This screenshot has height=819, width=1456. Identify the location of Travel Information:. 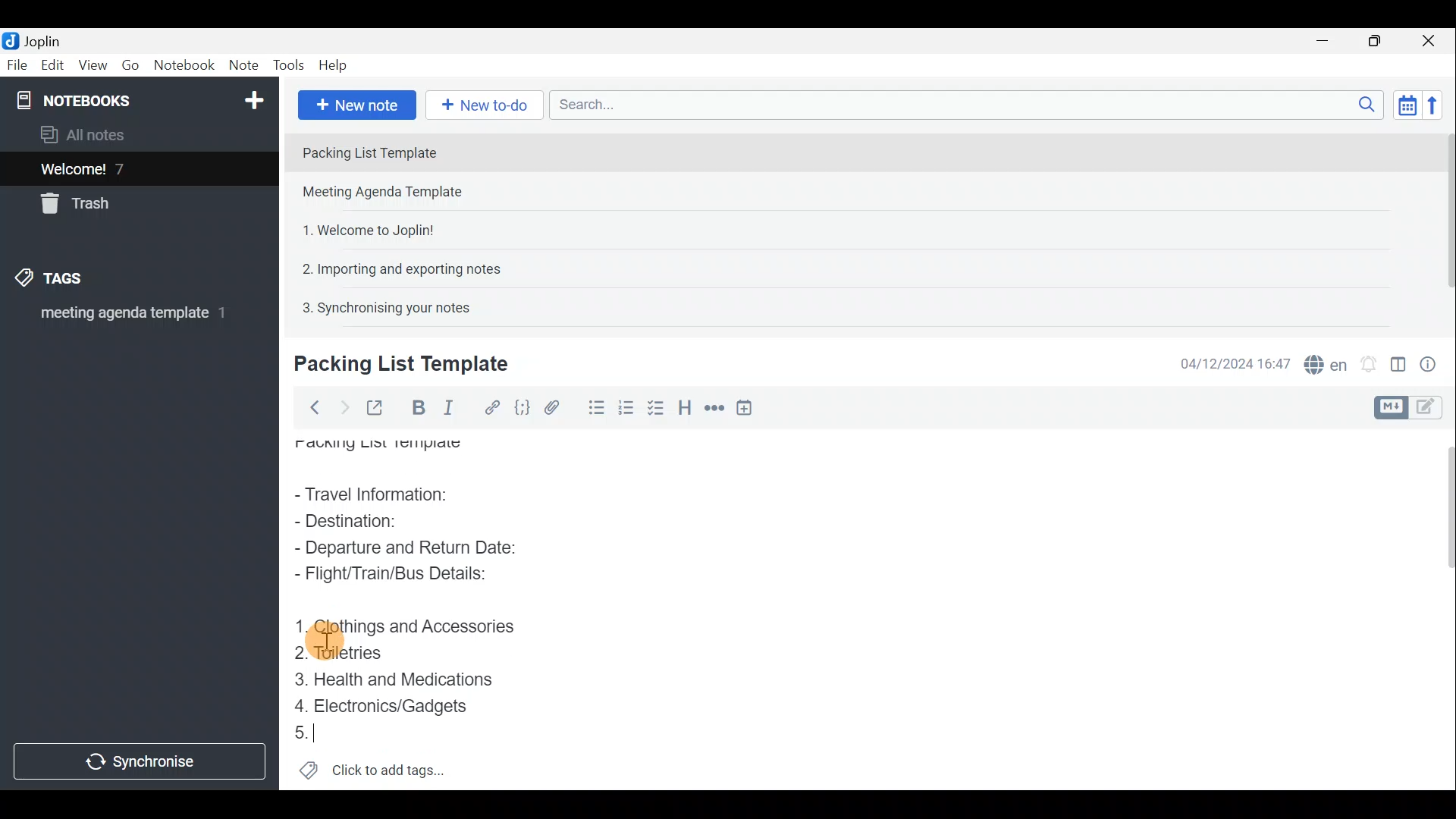
(390, 493).